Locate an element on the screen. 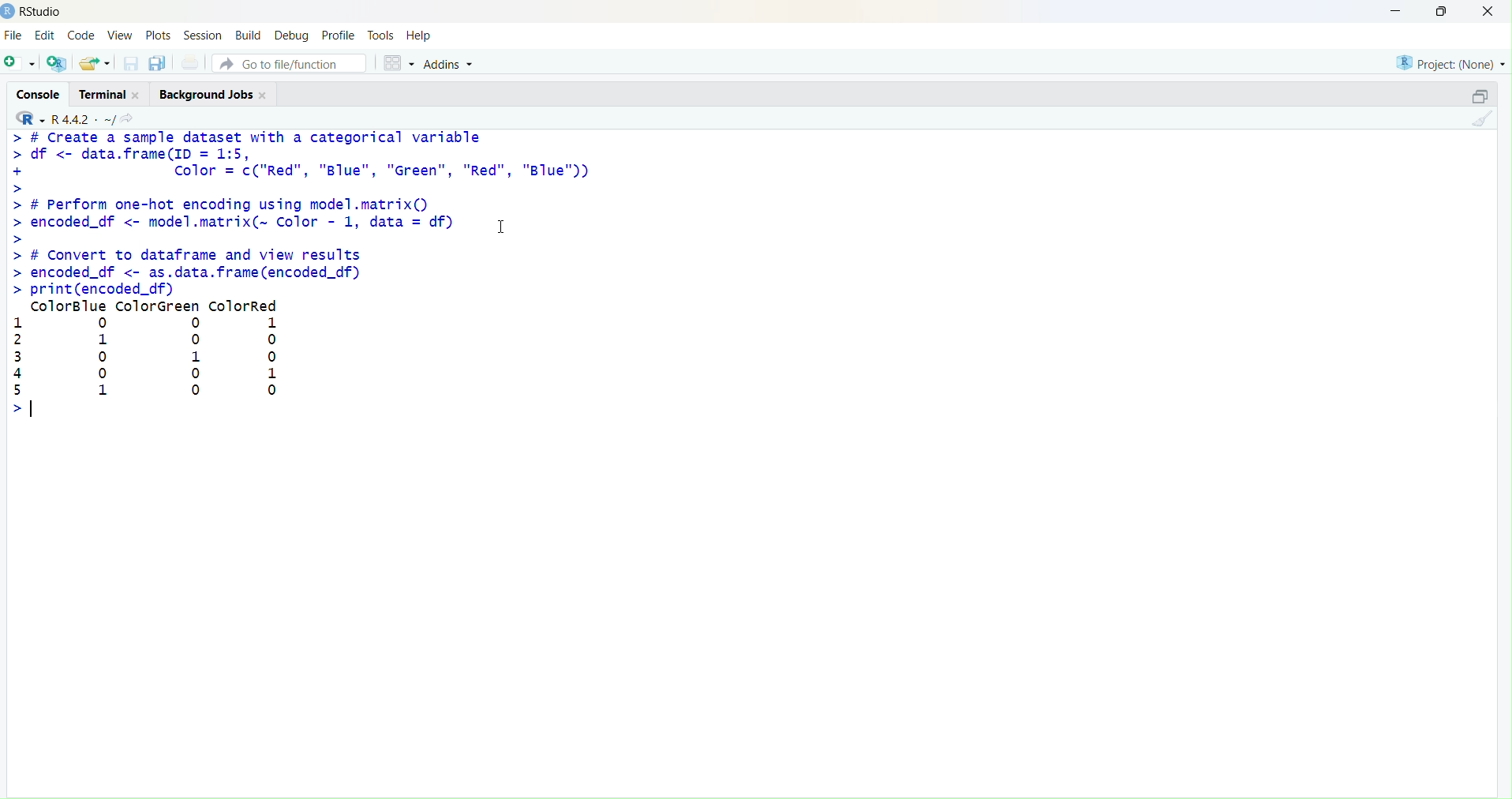  save is located at coordinates (133, 63).